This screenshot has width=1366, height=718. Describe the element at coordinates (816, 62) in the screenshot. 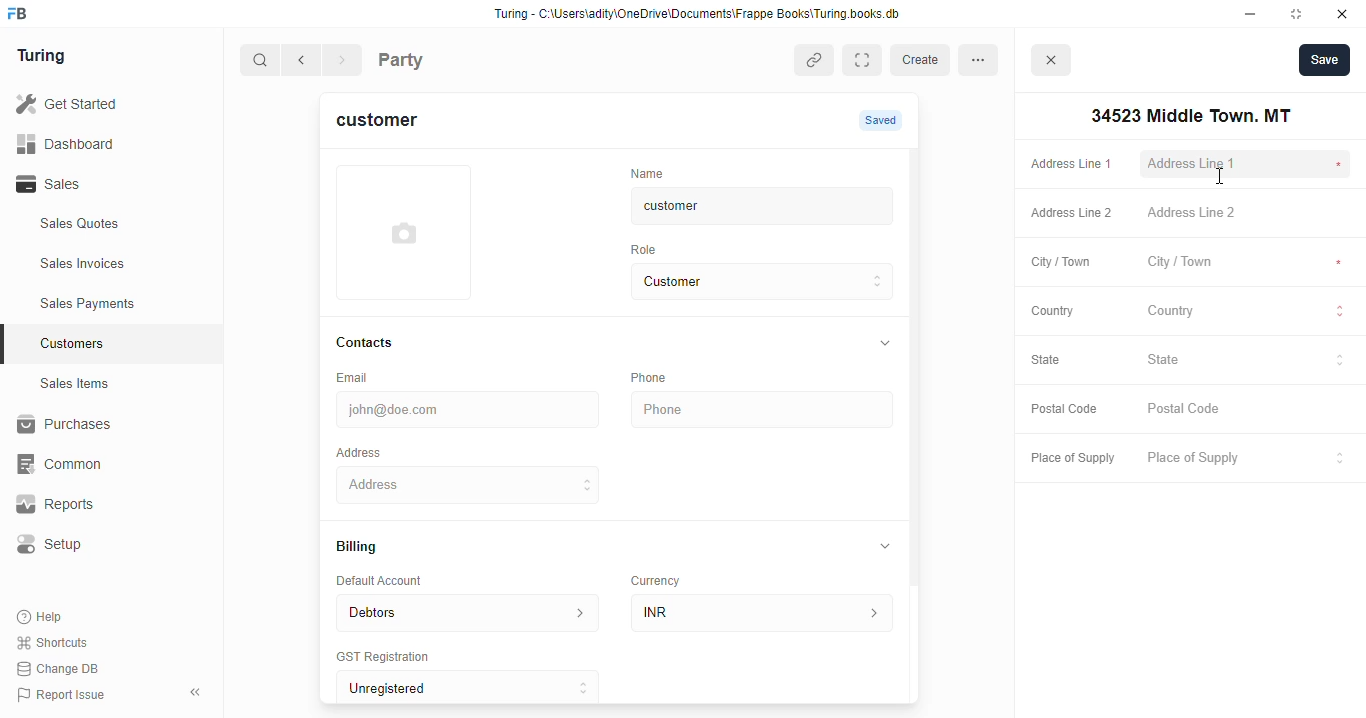

I see `copy link` at that location.